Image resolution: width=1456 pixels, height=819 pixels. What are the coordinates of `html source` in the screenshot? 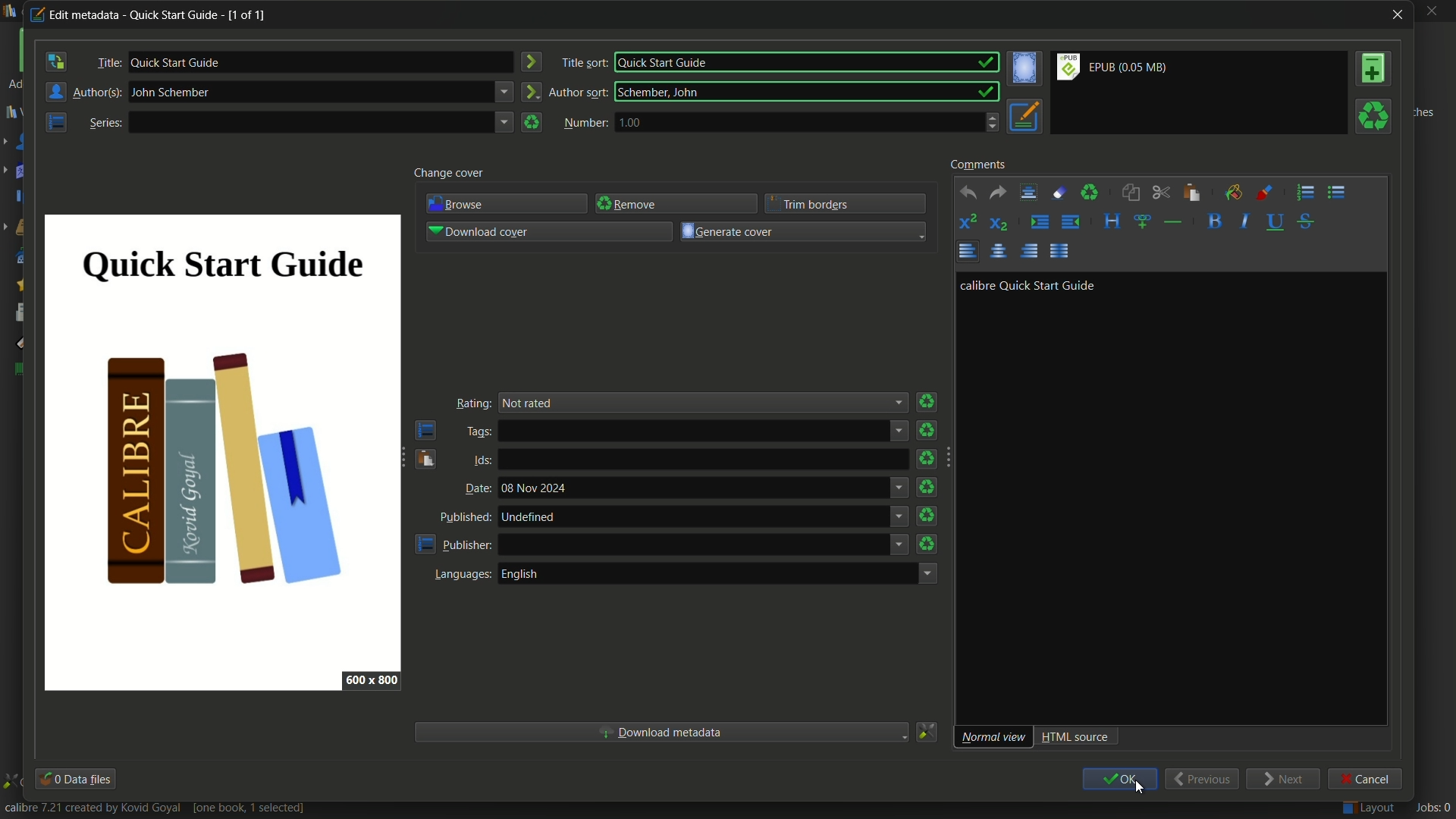 It's located at (1081, 738).